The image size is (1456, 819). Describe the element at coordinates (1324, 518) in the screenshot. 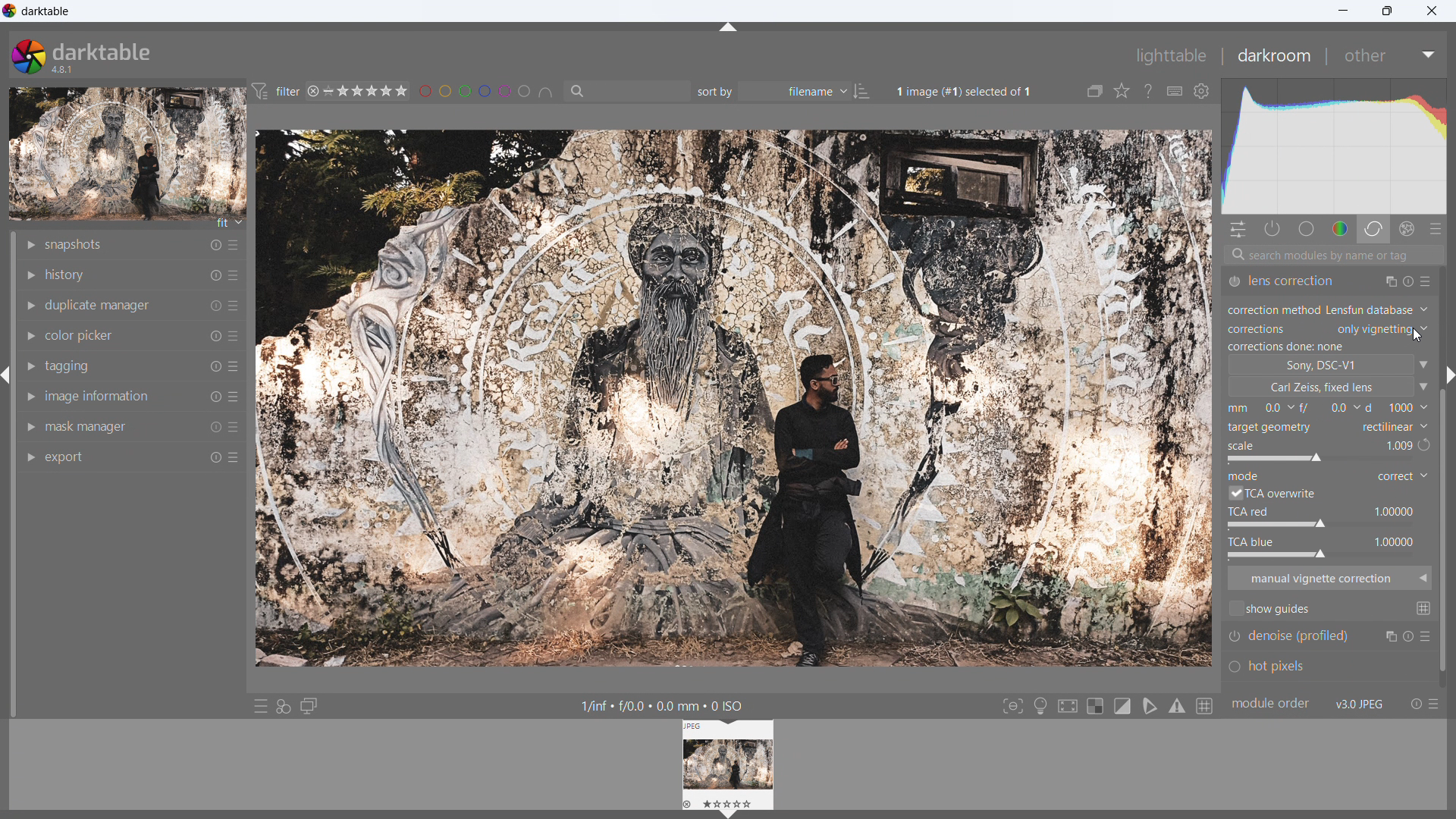

I see `tca red` at that location.